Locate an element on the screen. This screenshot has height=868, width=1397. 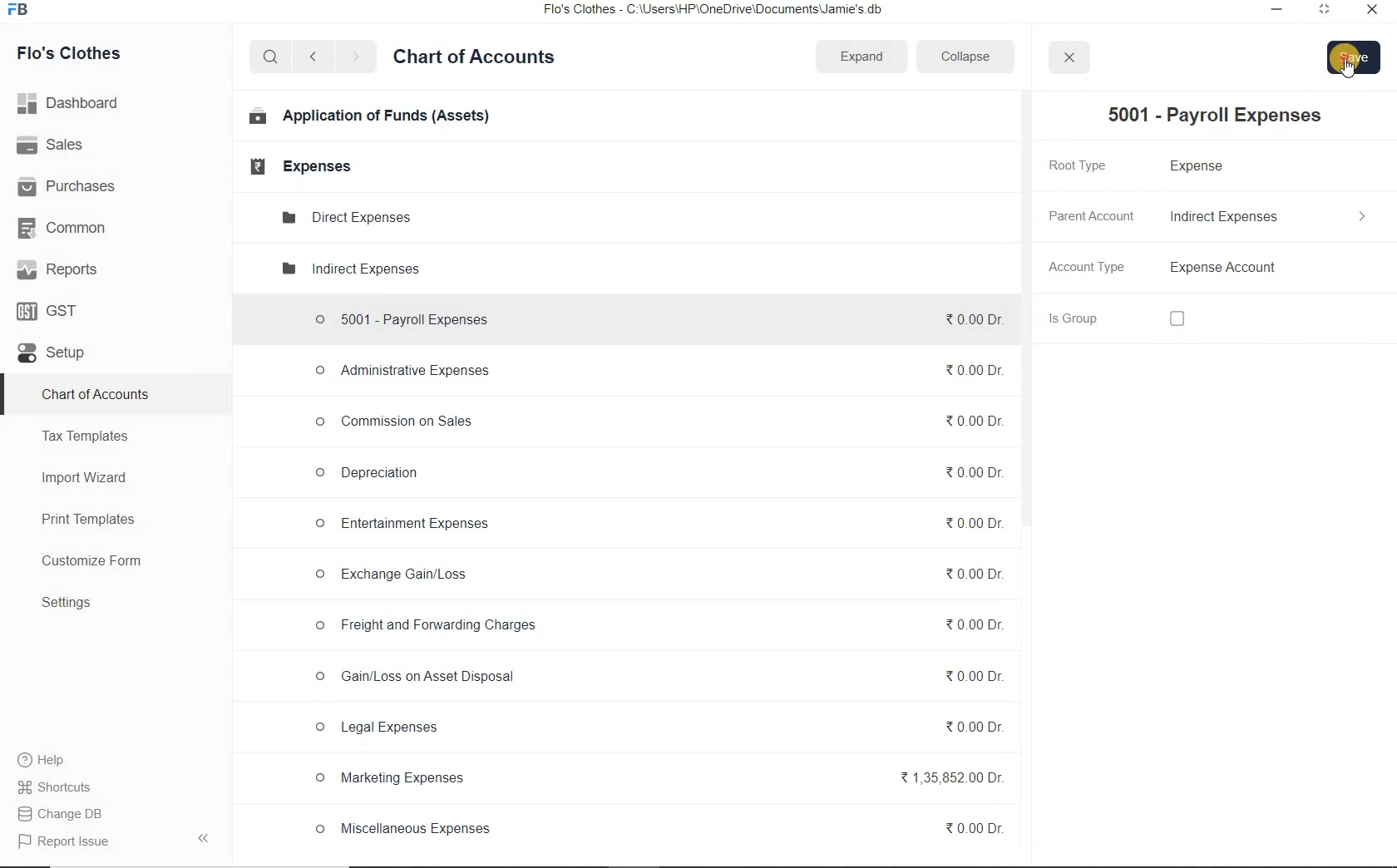
close is located at coordinates (1370, 13).